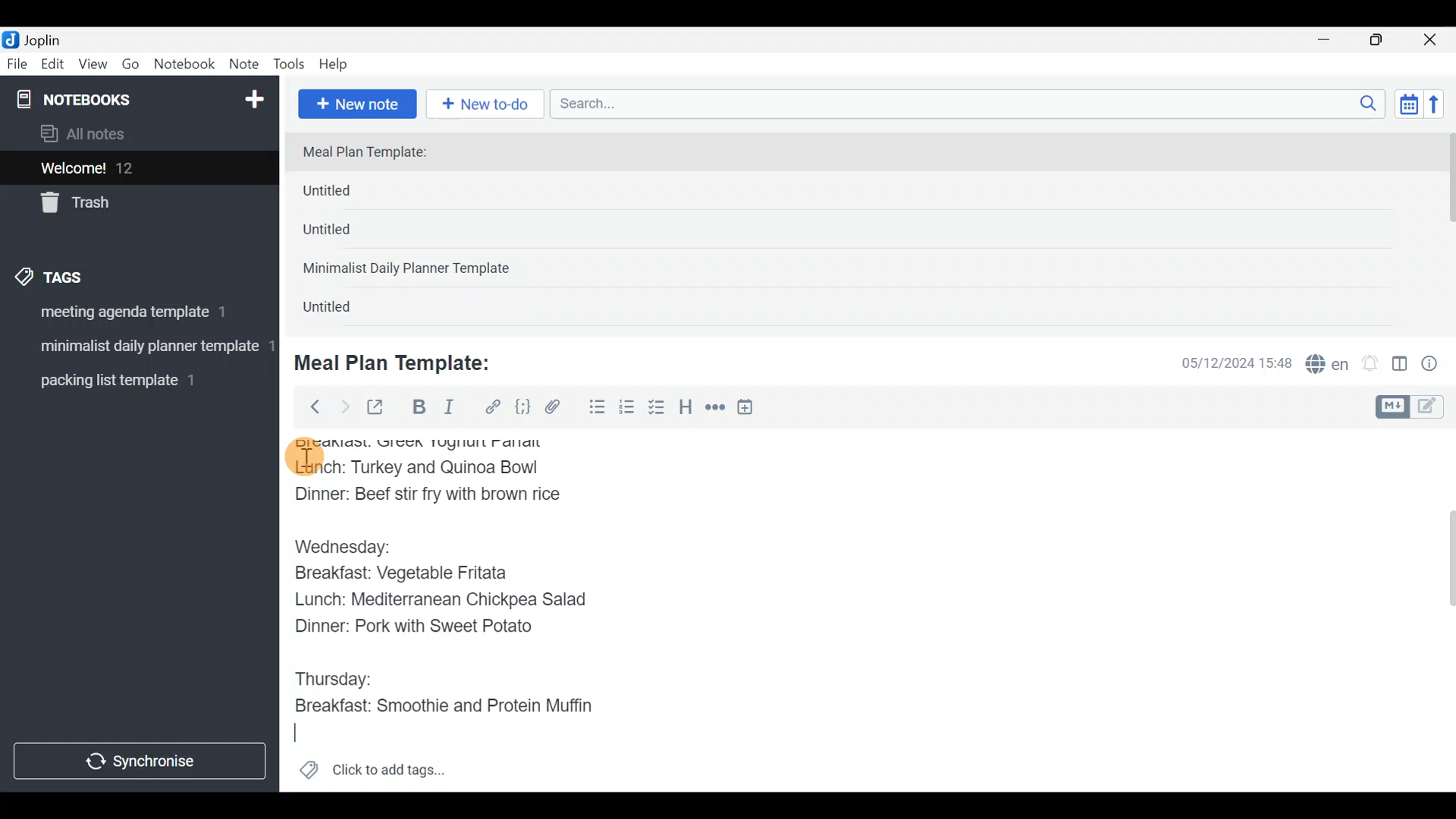  Describe the element at coordinates (451, 602) in the screenshot. I see `Lunch: Mediterranean Chickpea Salad` at that location.